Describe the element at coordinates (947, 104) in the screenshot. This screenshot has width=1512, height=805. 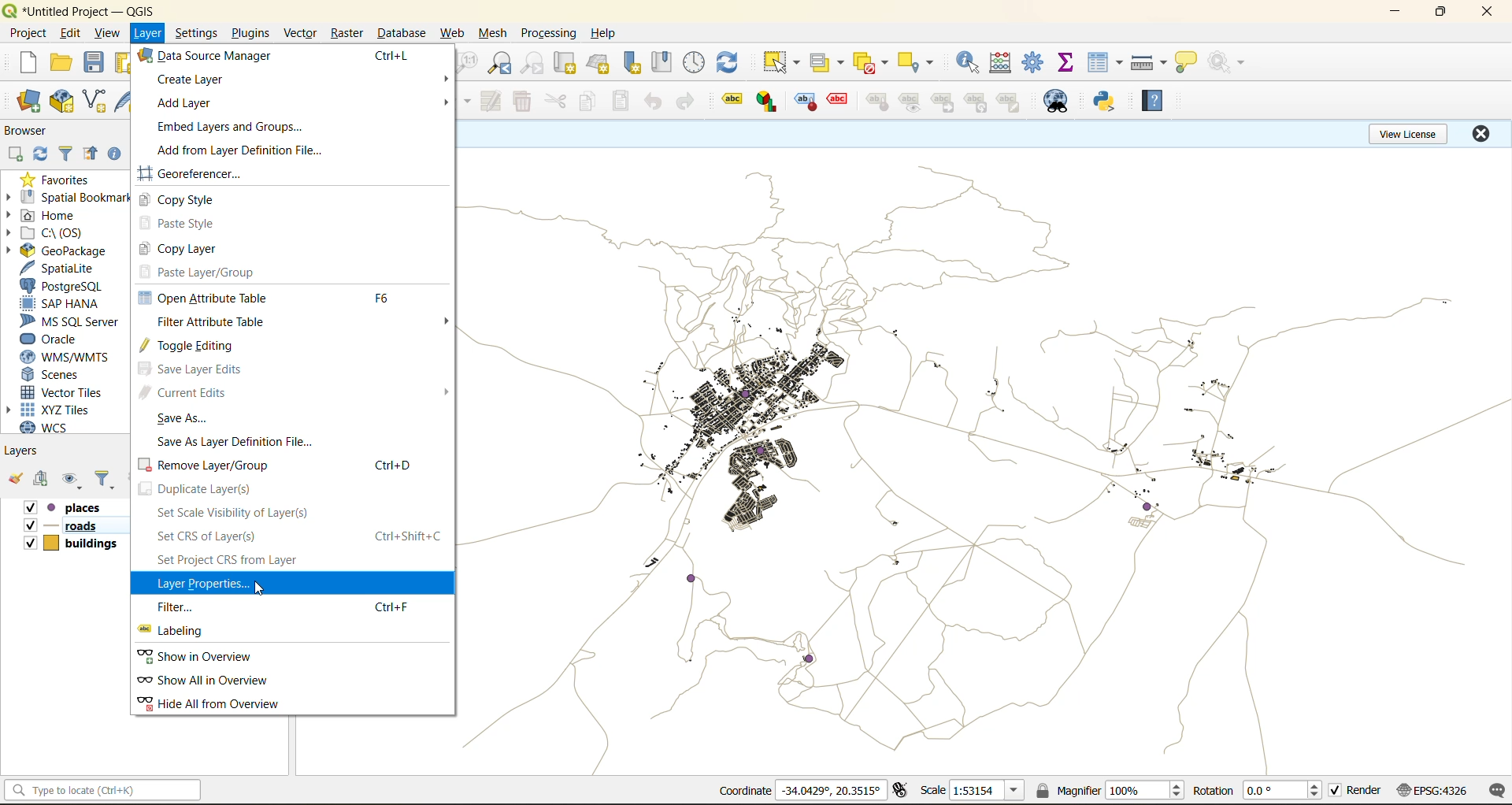
I see `label tool 7` at that location.